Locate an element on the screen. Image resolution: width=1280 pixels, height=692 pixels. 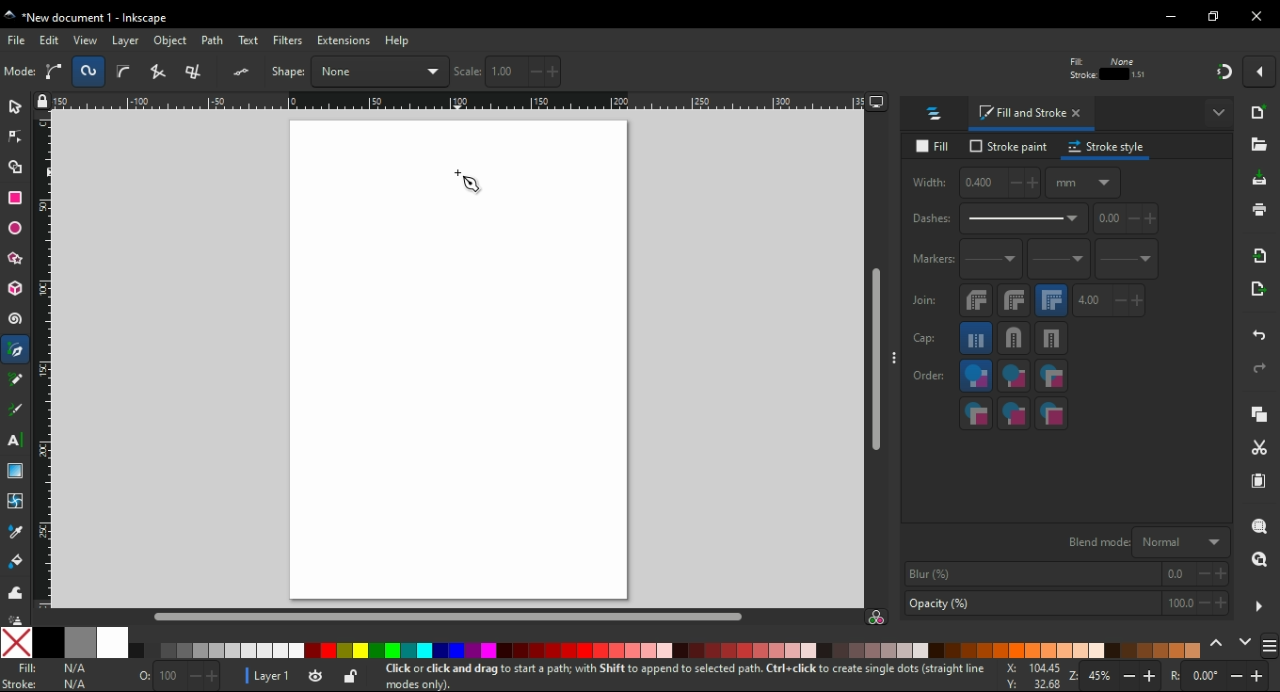
Ruler is located at coordinates (459, 101).